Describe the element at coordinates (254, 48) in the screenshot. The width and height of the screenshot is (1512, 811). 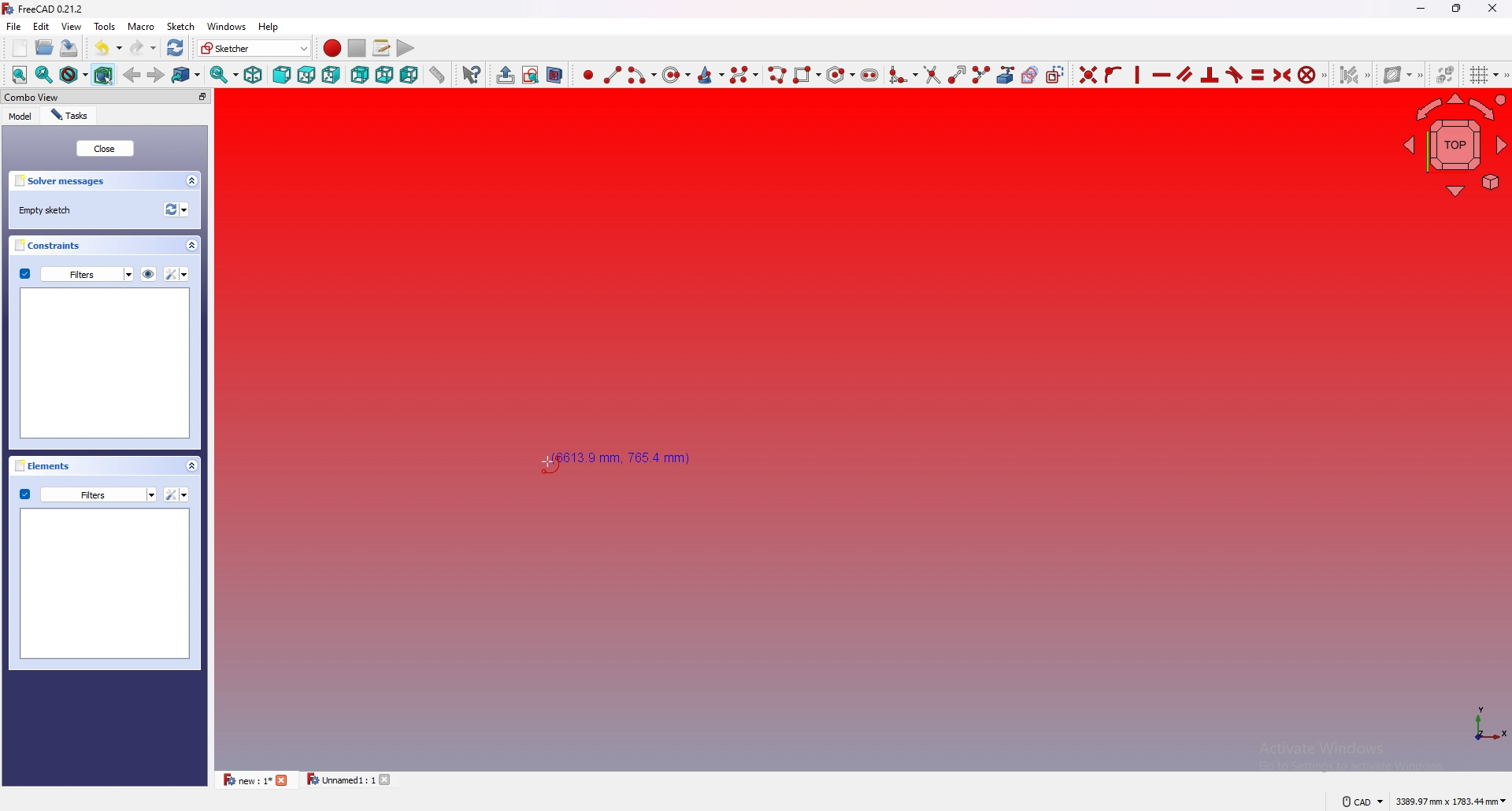
I see `Sketcher` at that location.